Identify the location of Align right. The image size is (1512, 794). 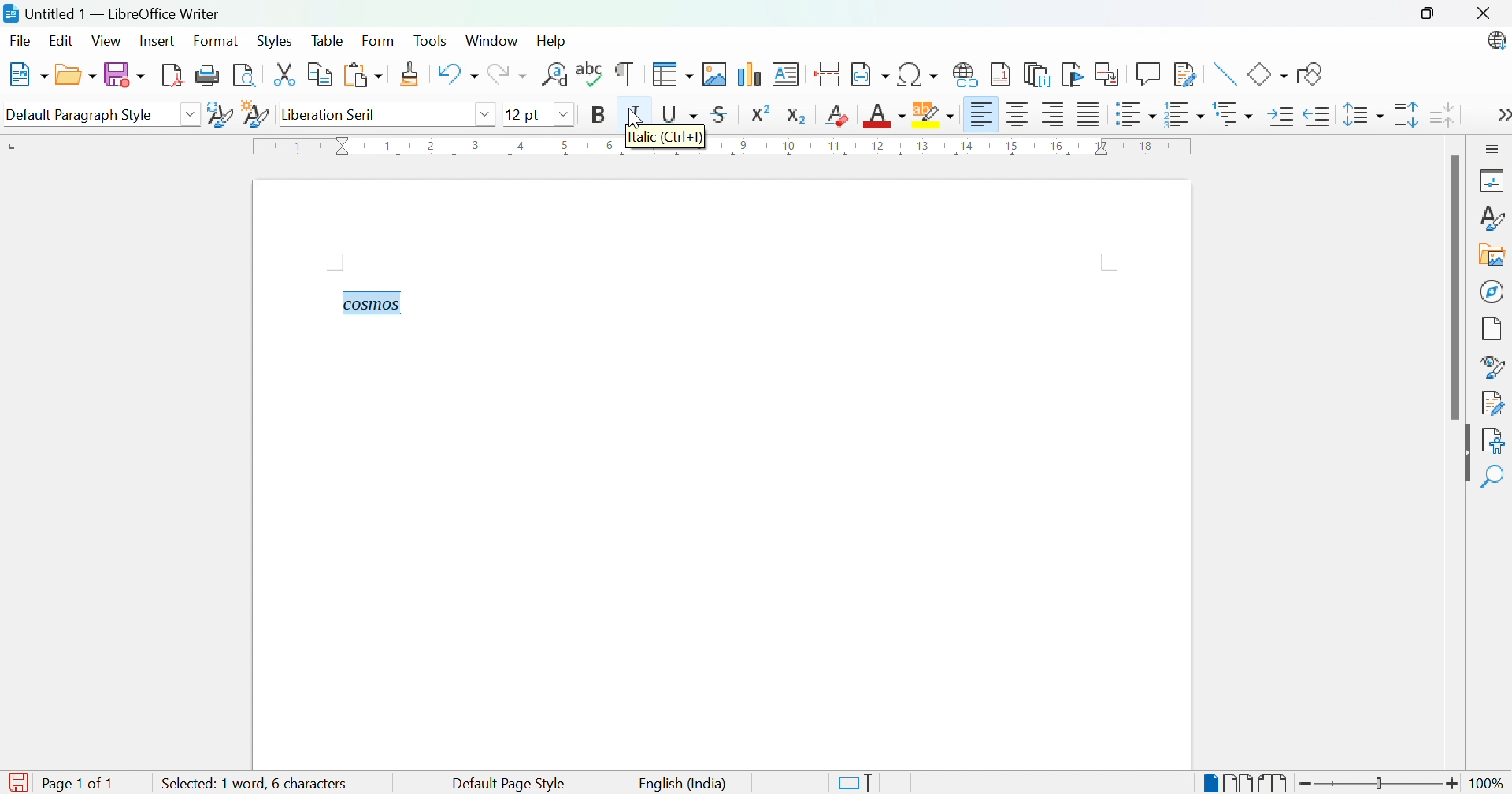
(1057, 116).